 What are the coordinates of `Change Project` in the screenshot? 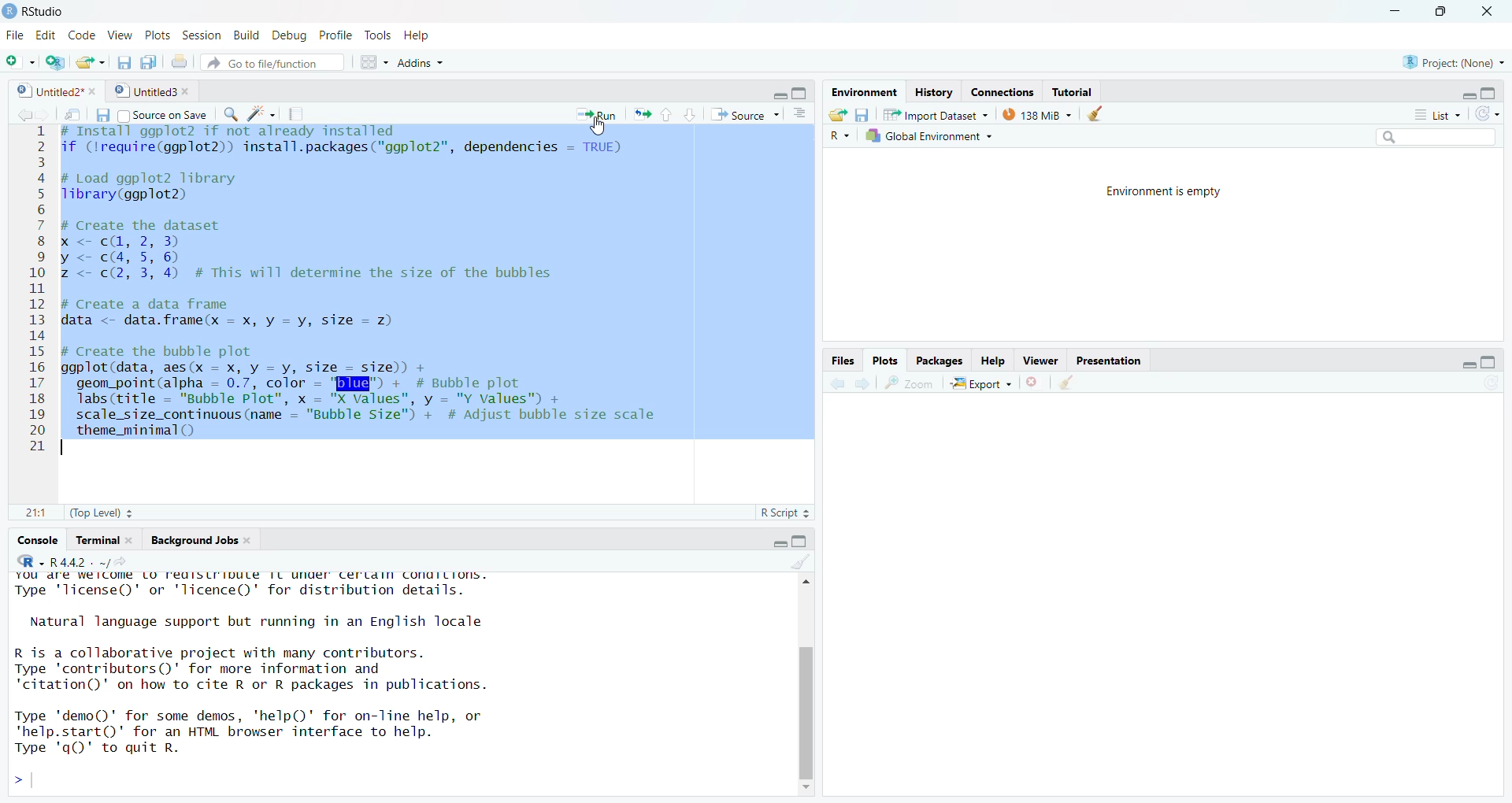 It's located at (55, 59).